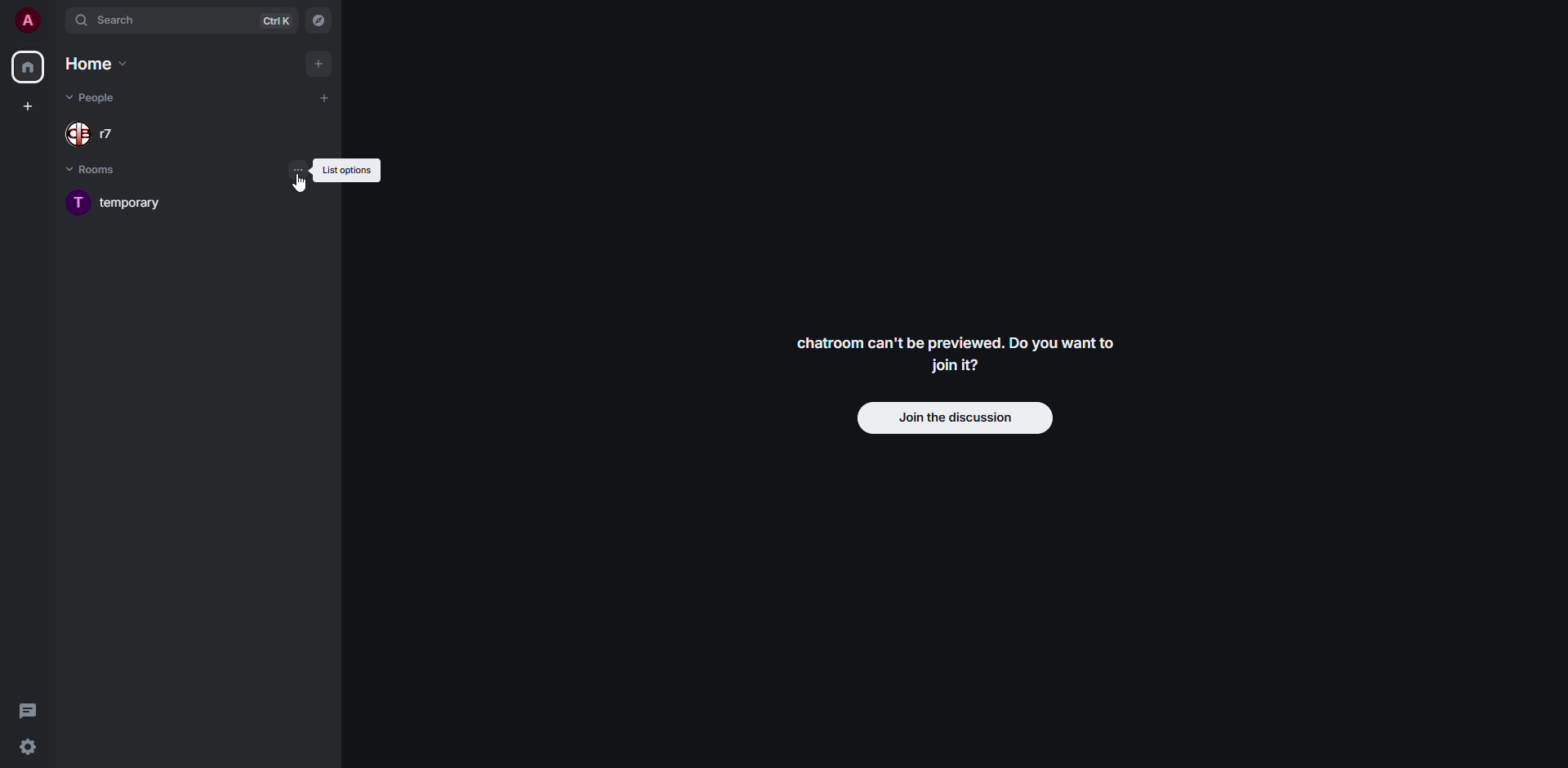 This screenshot has width=1568, height=768. What do you see at coordinates (27, 105) in the screenshot?
I see `create space` at bounding box center [27, 105].